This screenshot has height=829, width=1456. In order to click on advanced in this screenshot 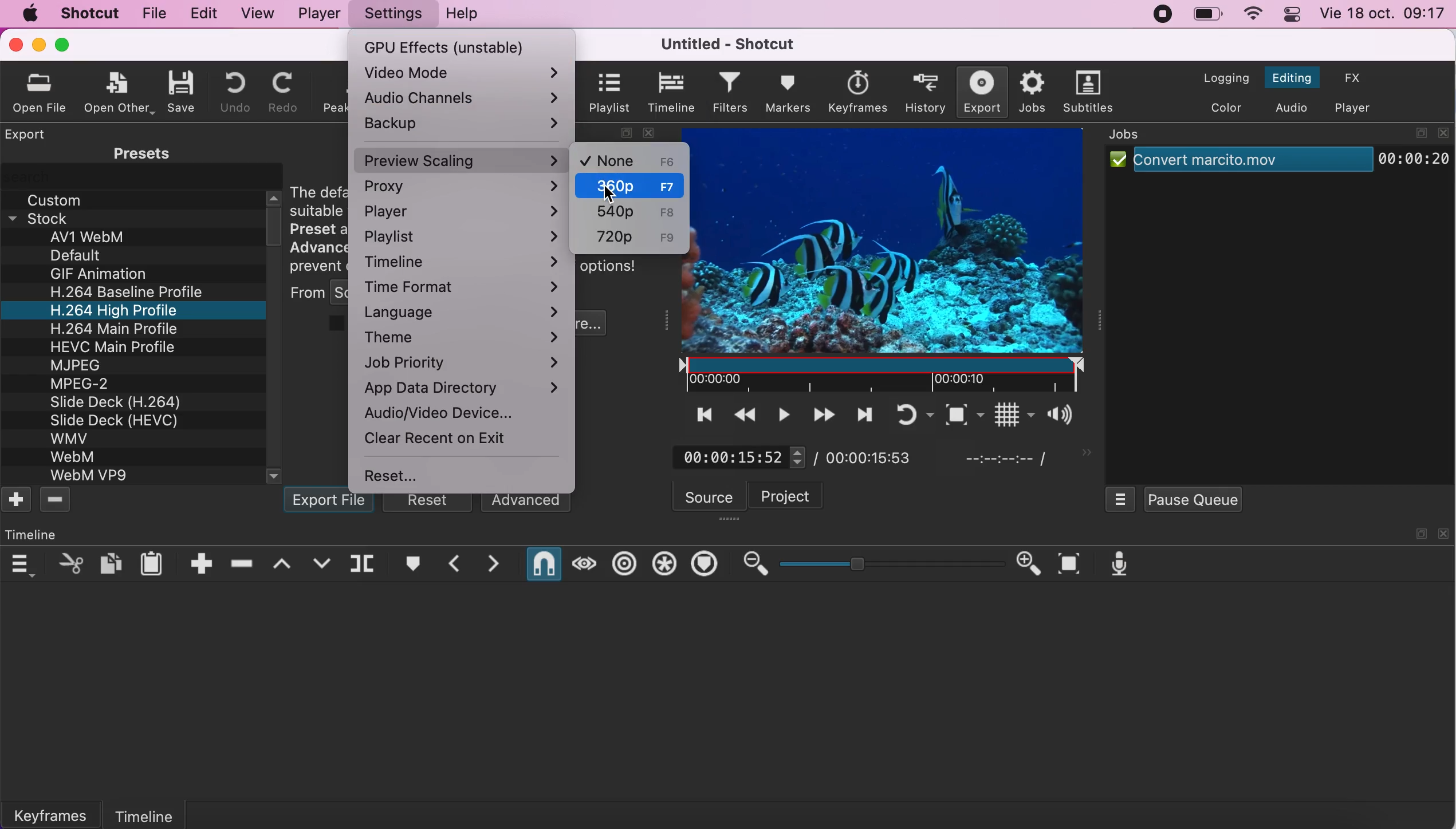, I will do `click(527, 504)`.